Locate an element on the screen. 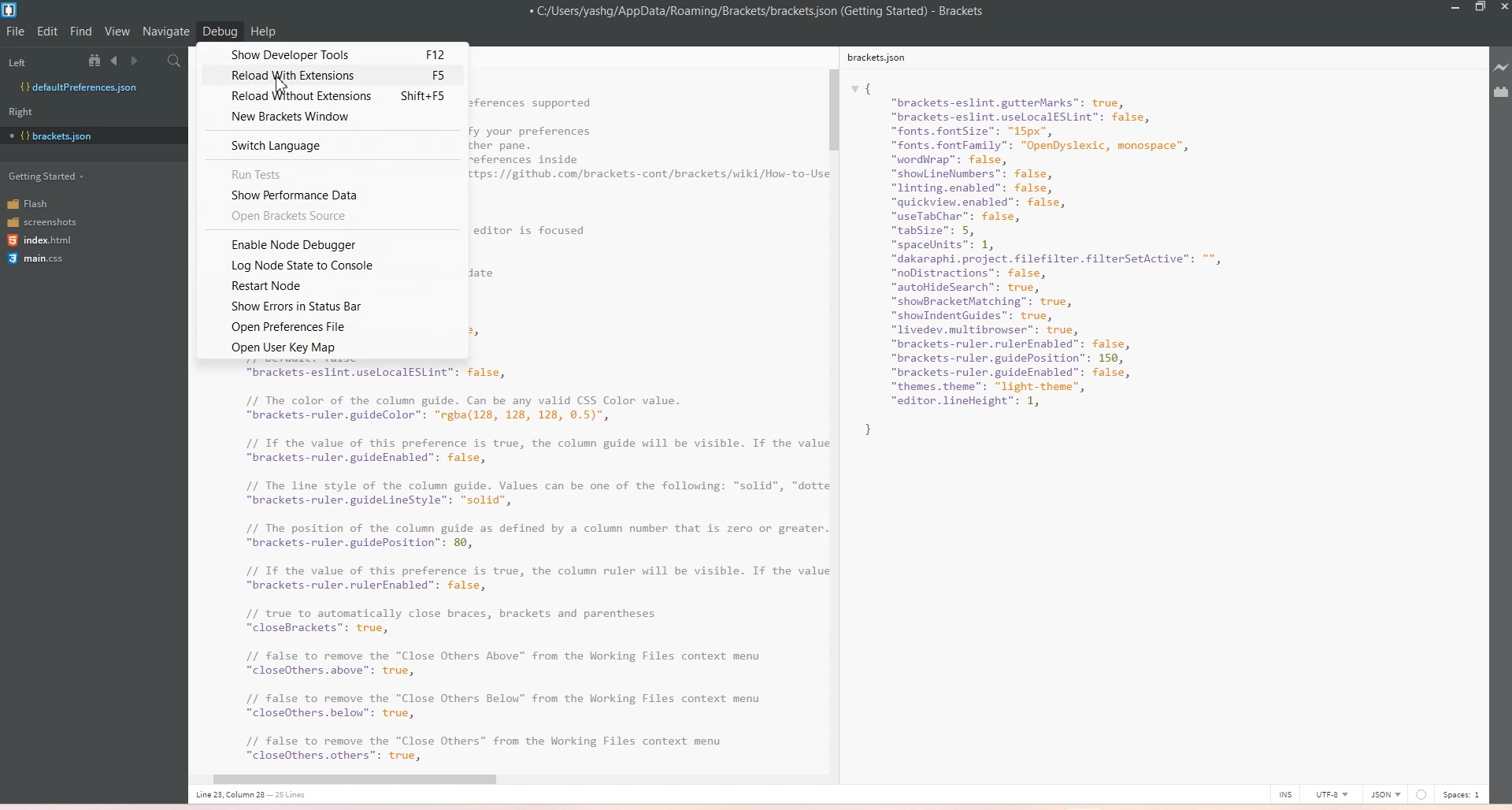 This screenshot has height=810, width=1512. main.css is located at coordinates (39, 261).